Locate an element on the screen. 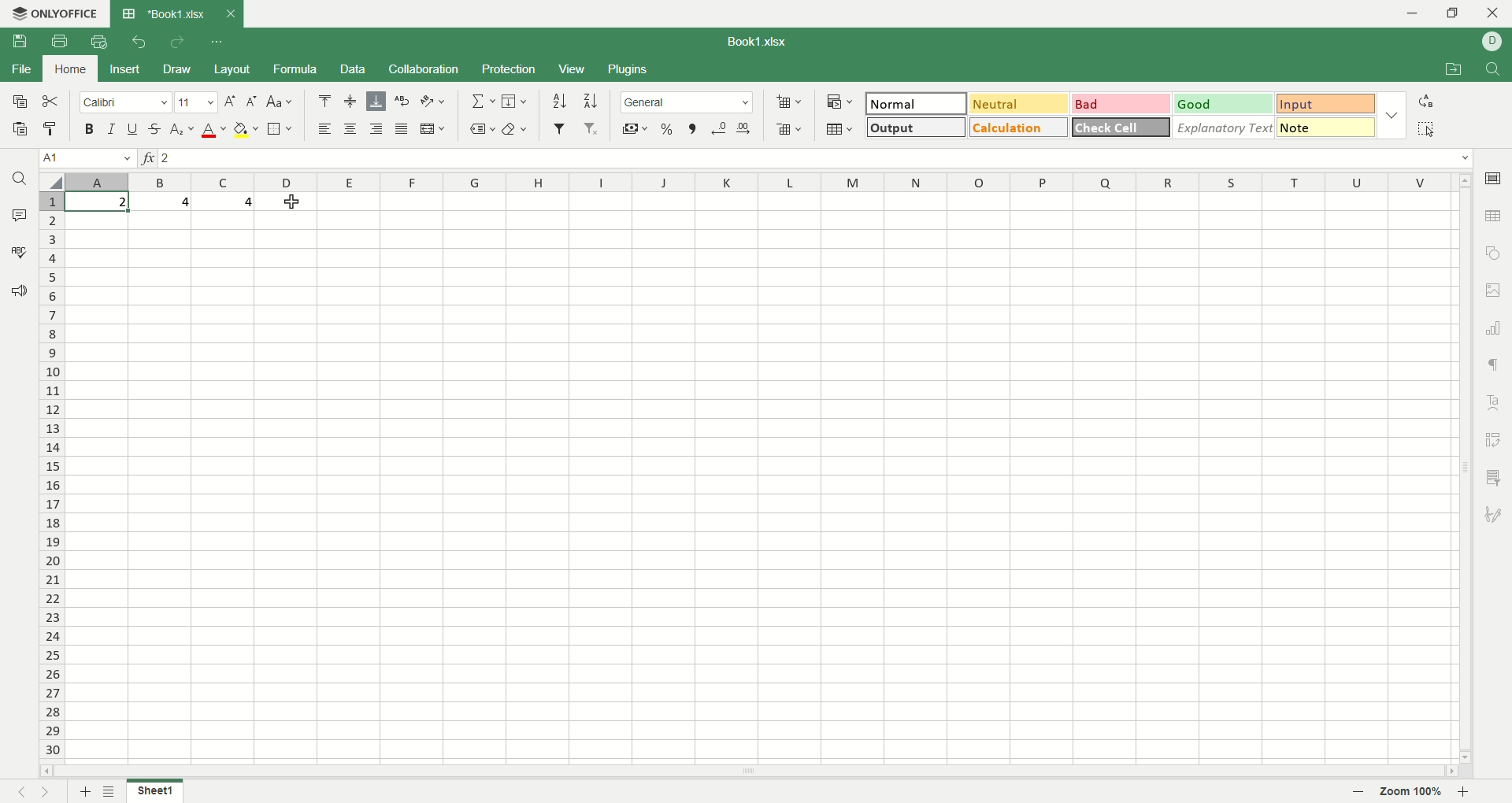 Image resolution: width=1512 pixels, height=803 pixels. layout is located at coordinates (233, 68).